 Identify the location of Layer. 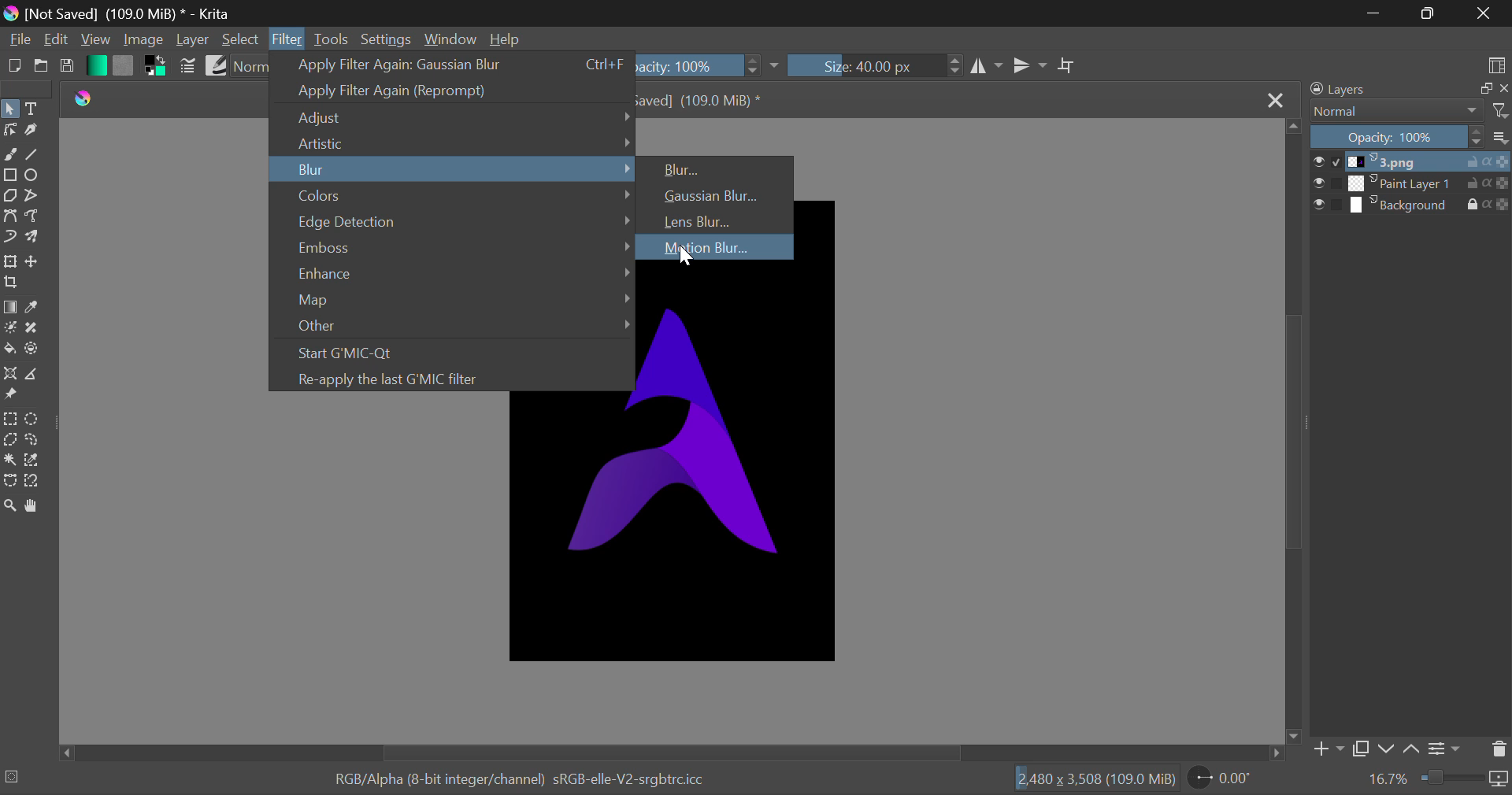
(193, 39).